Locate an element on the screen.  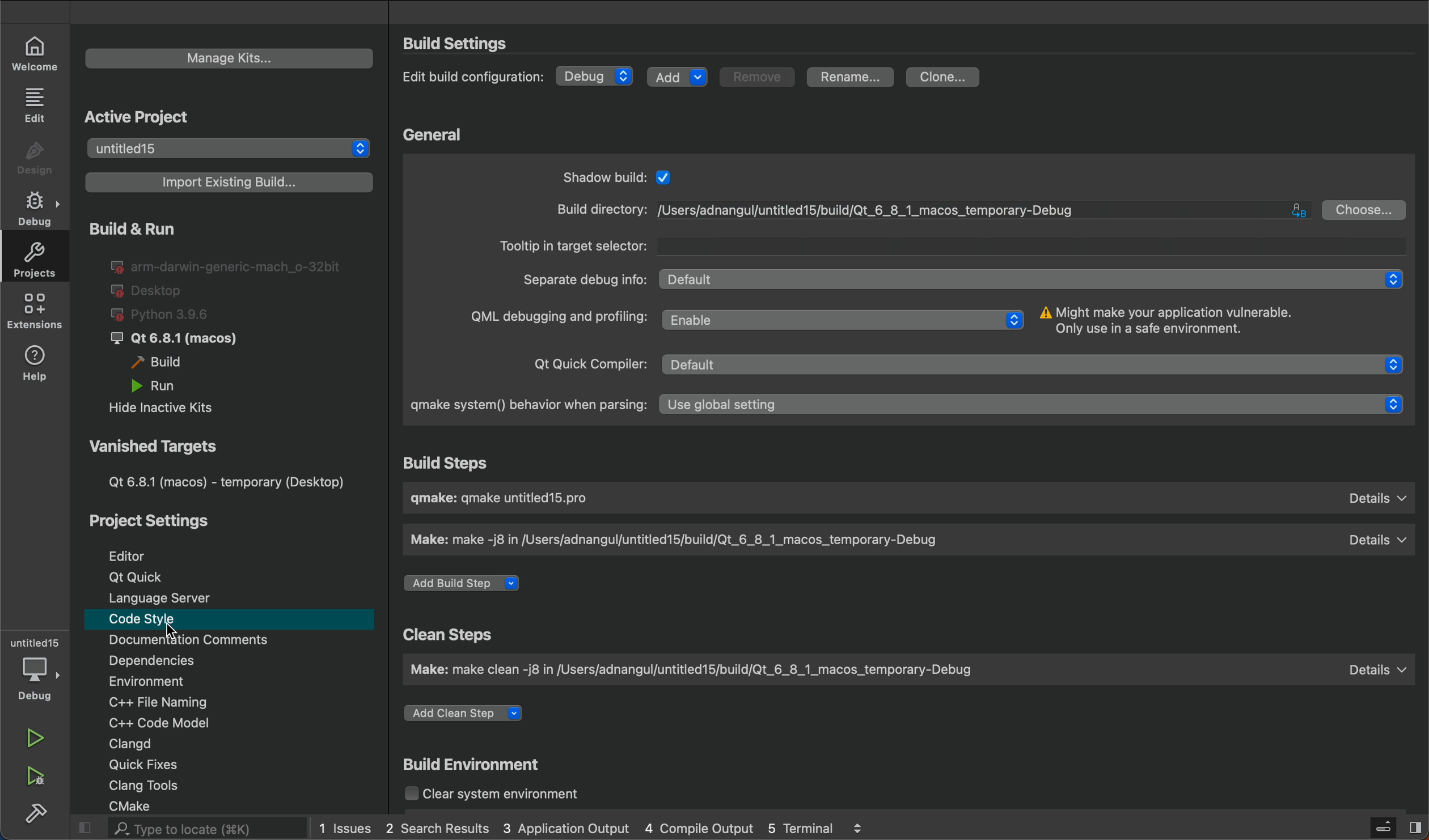
clean steps is located at coordinates (466, 633).